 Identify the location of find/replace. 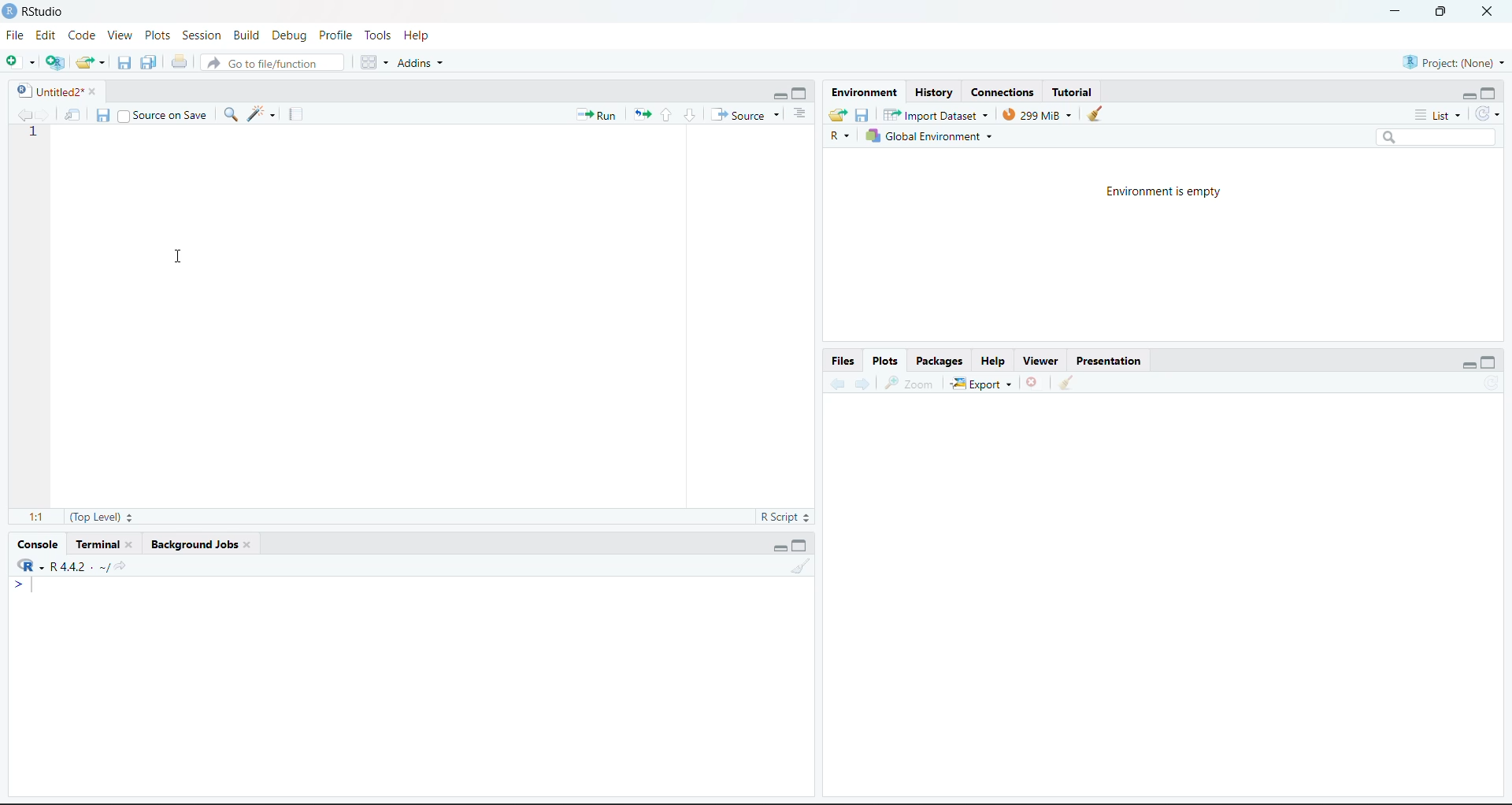
(232, 113).